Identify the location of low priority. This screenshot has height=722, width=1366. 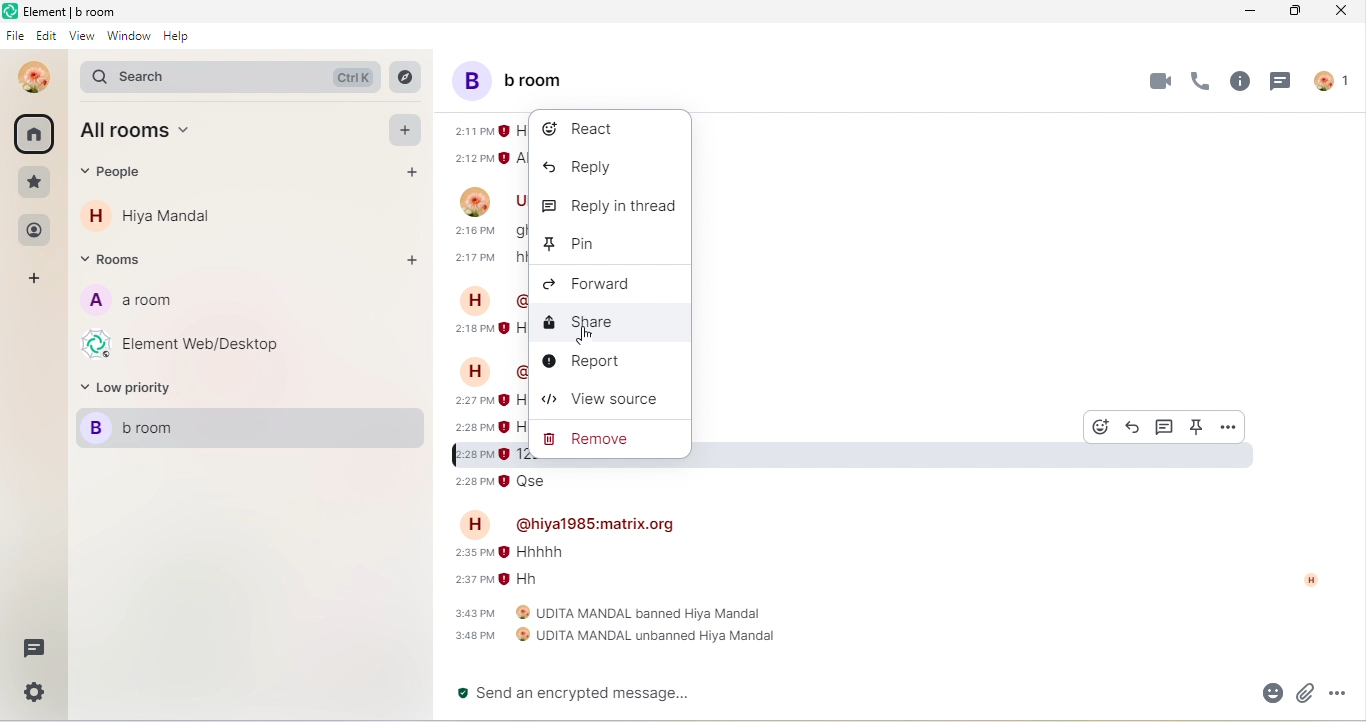
(140, 388).